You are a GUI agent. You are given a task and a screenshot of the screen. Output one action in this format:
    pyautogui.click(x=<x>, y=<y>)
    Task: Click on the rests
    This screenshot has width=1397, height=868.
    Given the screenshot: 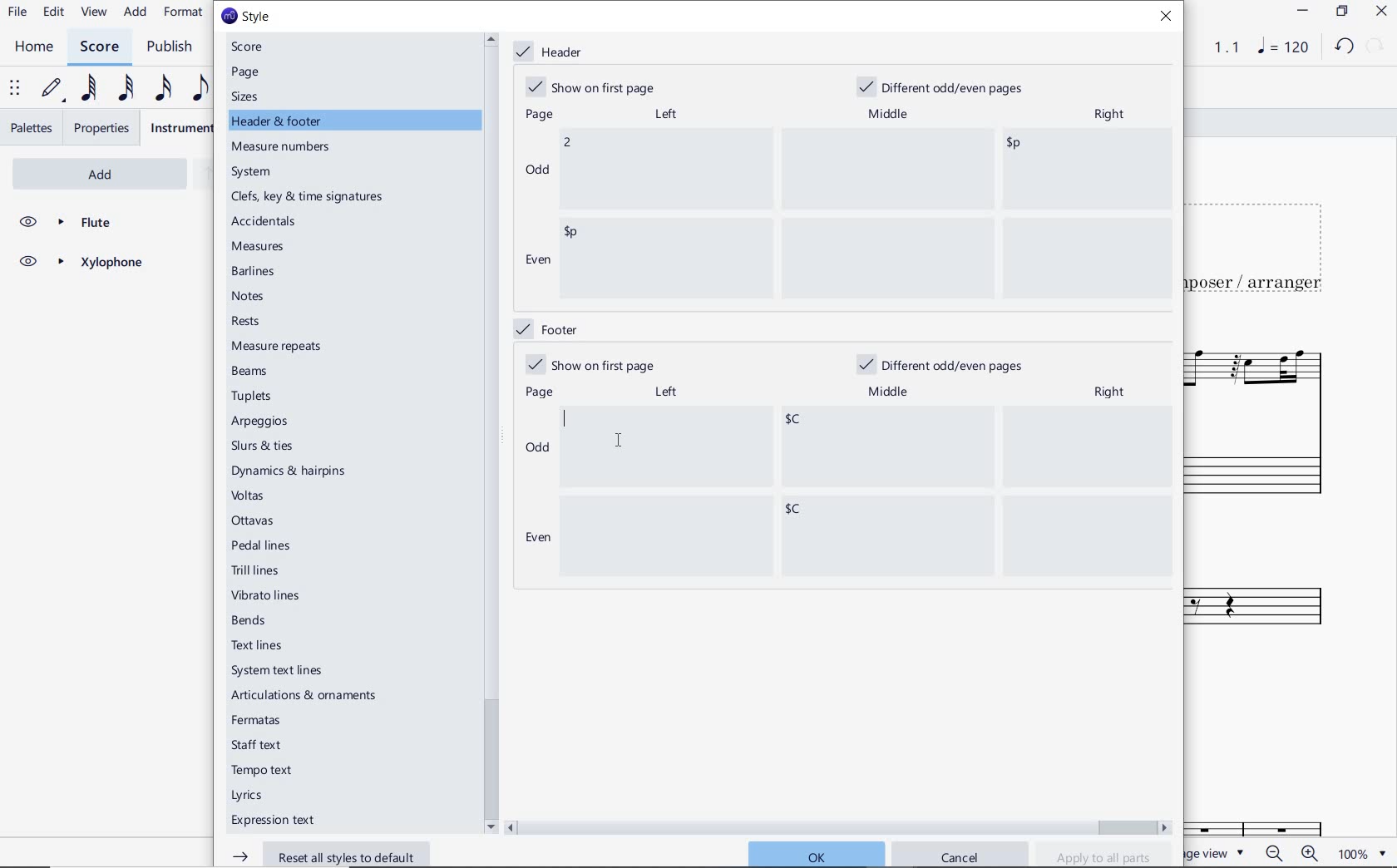 What is the action you would take?
    pyautogui.click(x=261, y=322)
    